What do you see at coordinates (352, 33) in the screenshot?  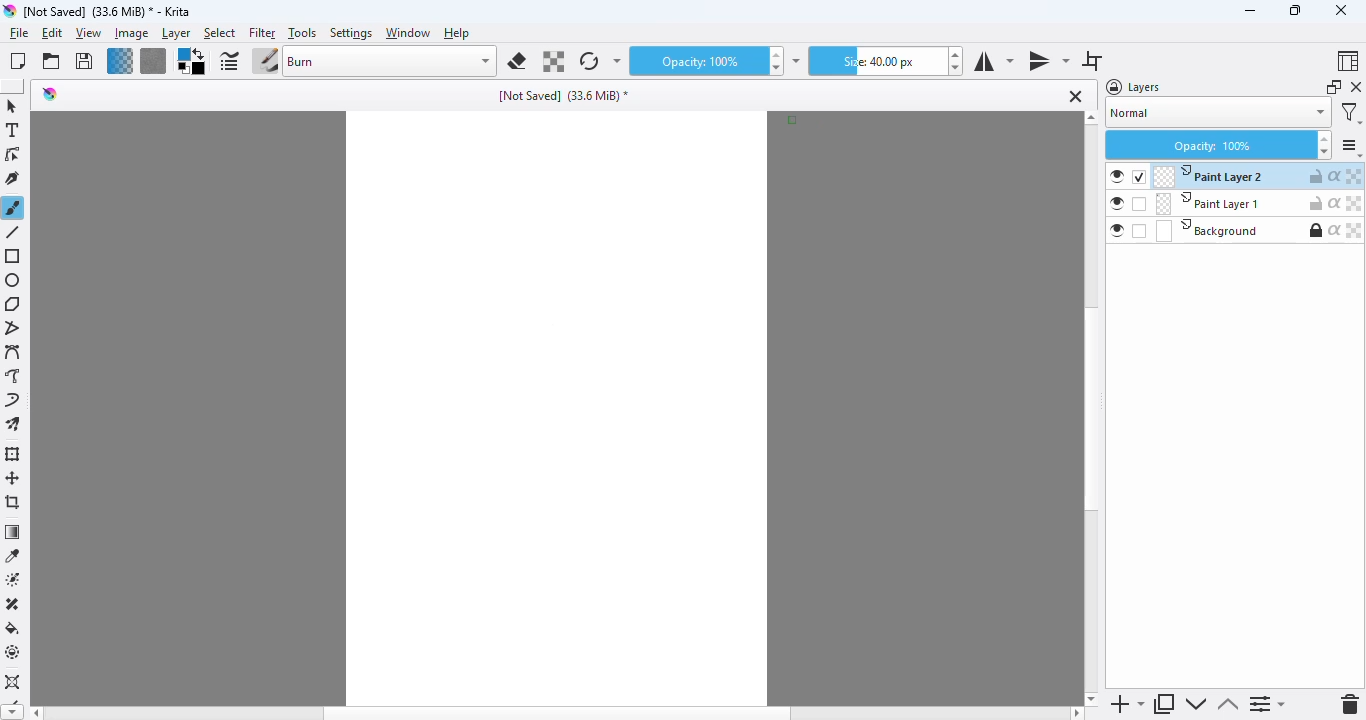 I see `settings` at bounding box center [352, 33].